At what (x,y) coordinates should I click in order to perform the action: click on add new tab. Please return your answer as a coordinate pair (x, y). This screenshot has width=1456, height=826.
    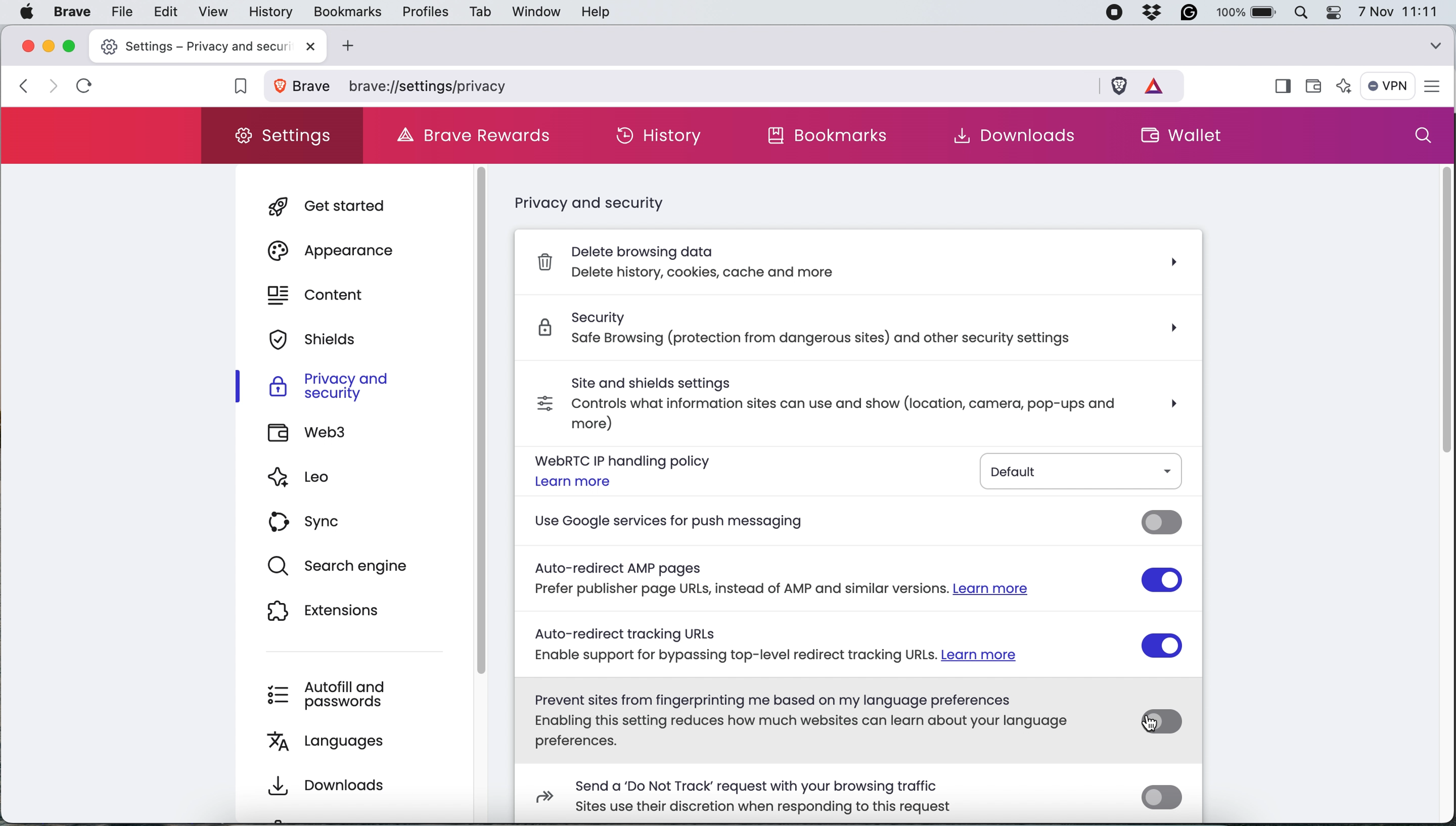
    Looking at the image, I should click on (345, 46).